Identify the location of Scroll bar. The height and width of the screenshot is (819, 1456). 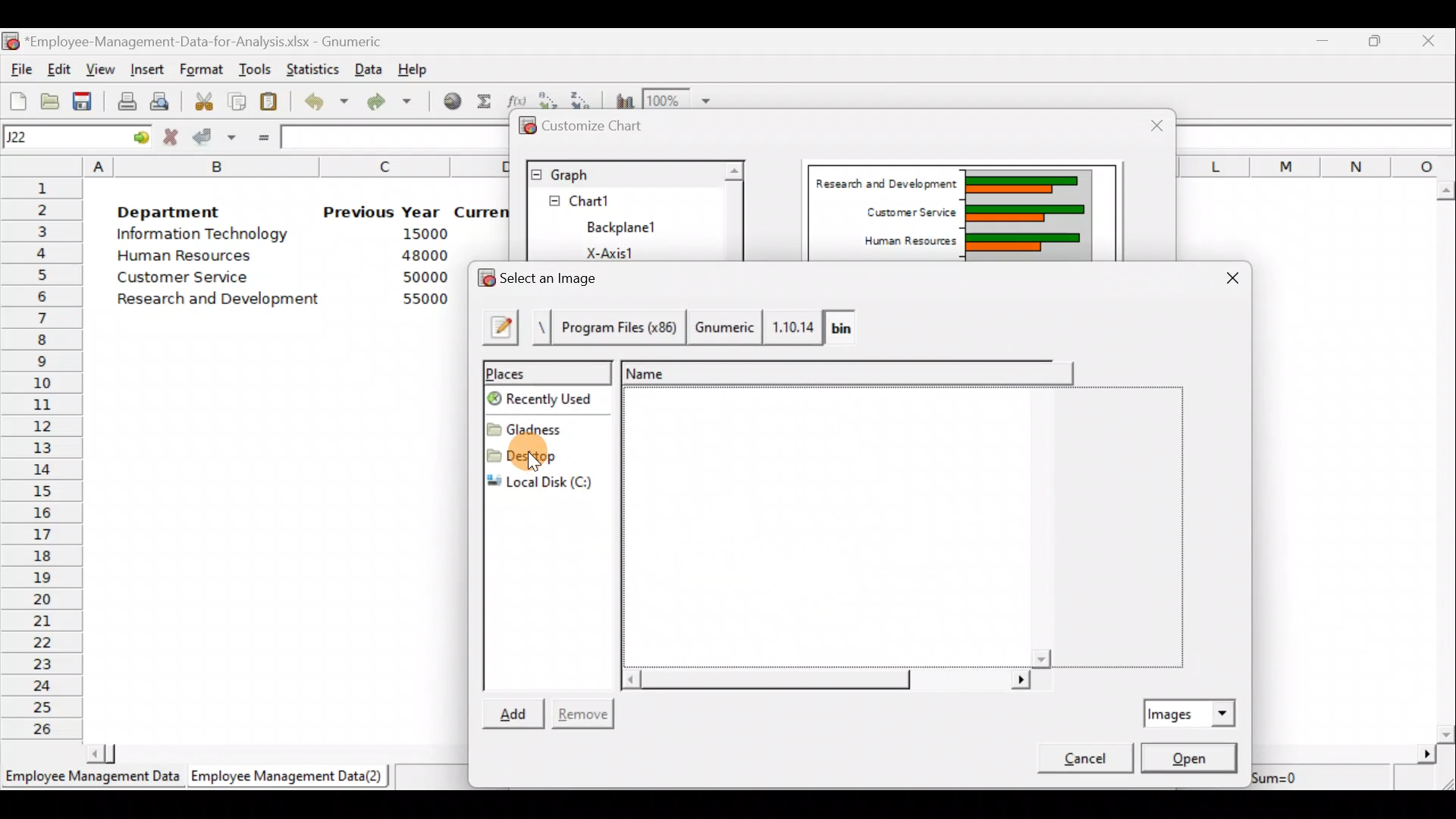
(822, 678).